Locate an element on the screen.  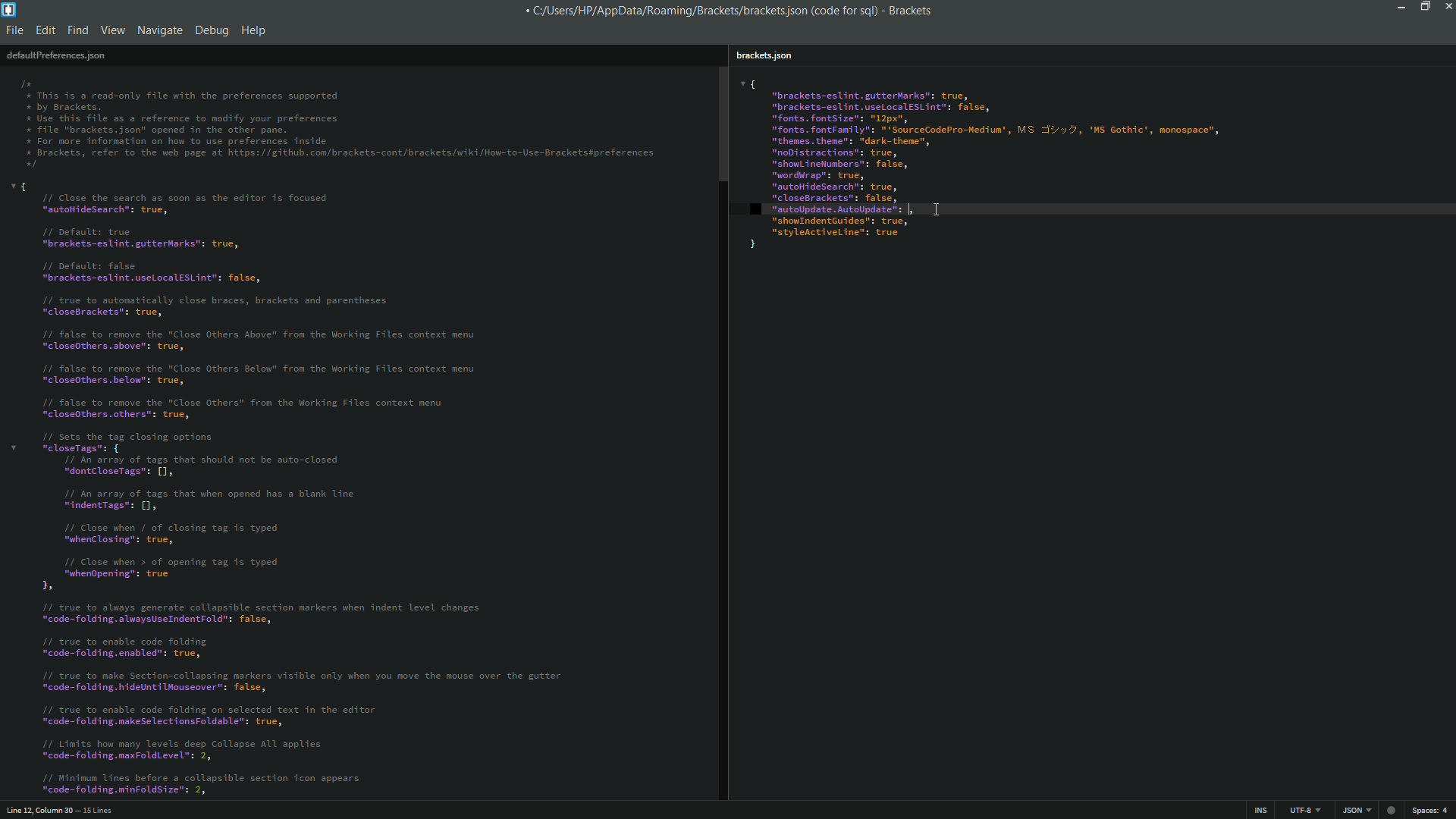
spaces: 4 is located at coordinates (1432, 810).